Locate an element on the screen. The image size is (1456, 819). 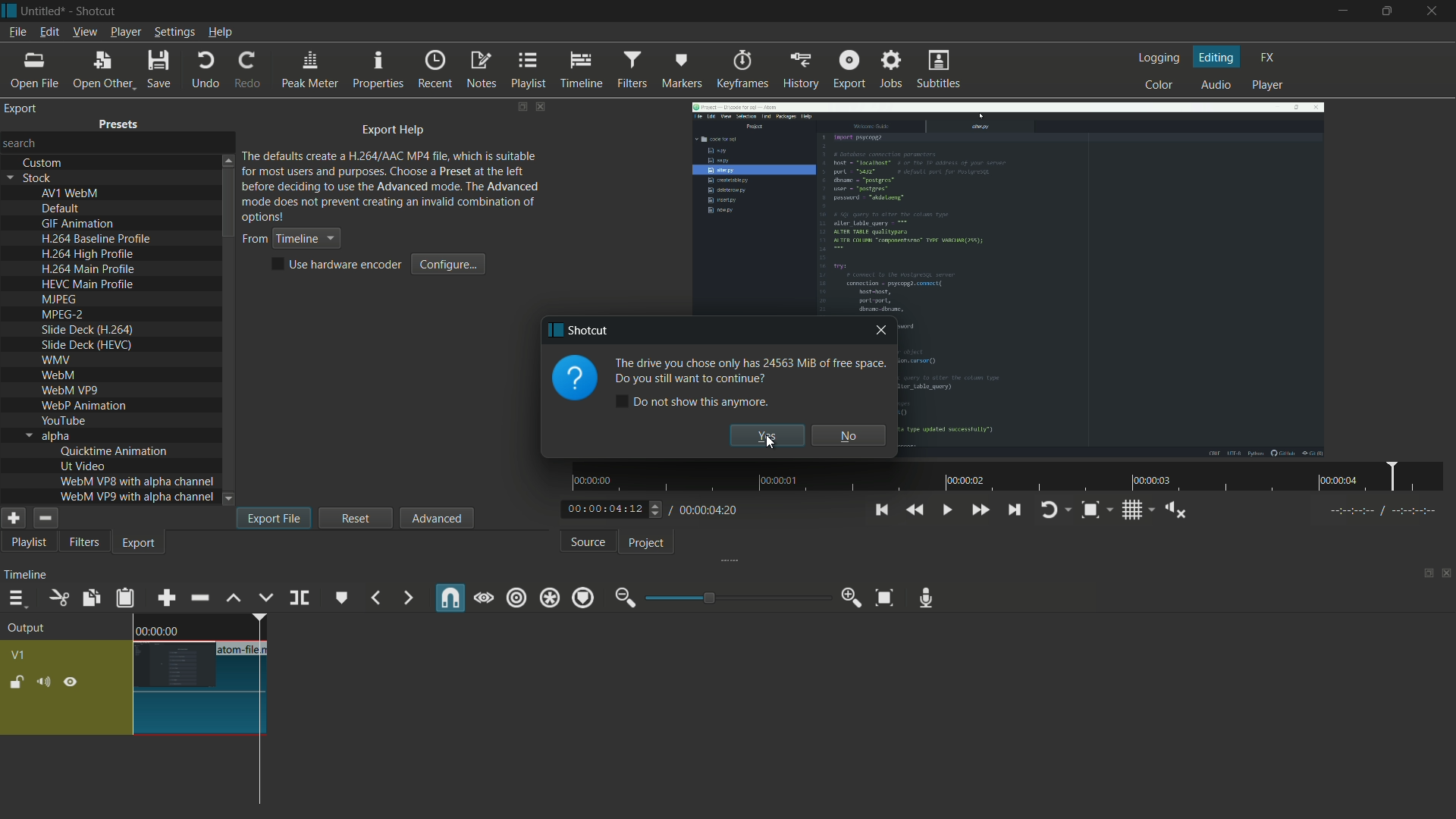
ut video is located at coordinates (83, 466).